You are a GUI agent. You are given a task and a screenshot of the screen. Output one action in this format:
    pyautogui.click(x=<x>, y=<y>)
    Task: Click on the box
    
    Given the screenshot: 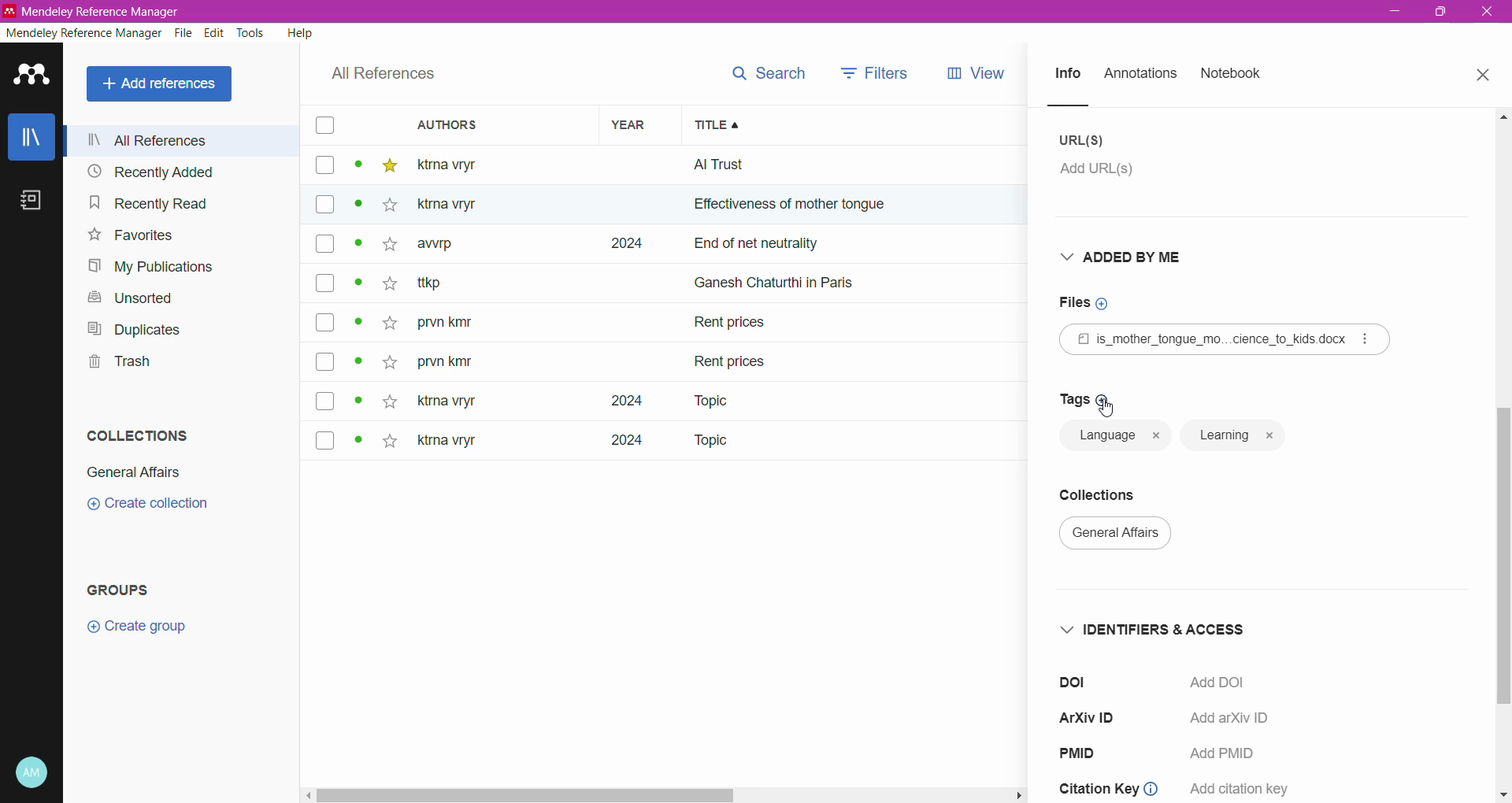 What is the action you would take?
    pyautogui.click(x=330, y=401)
    